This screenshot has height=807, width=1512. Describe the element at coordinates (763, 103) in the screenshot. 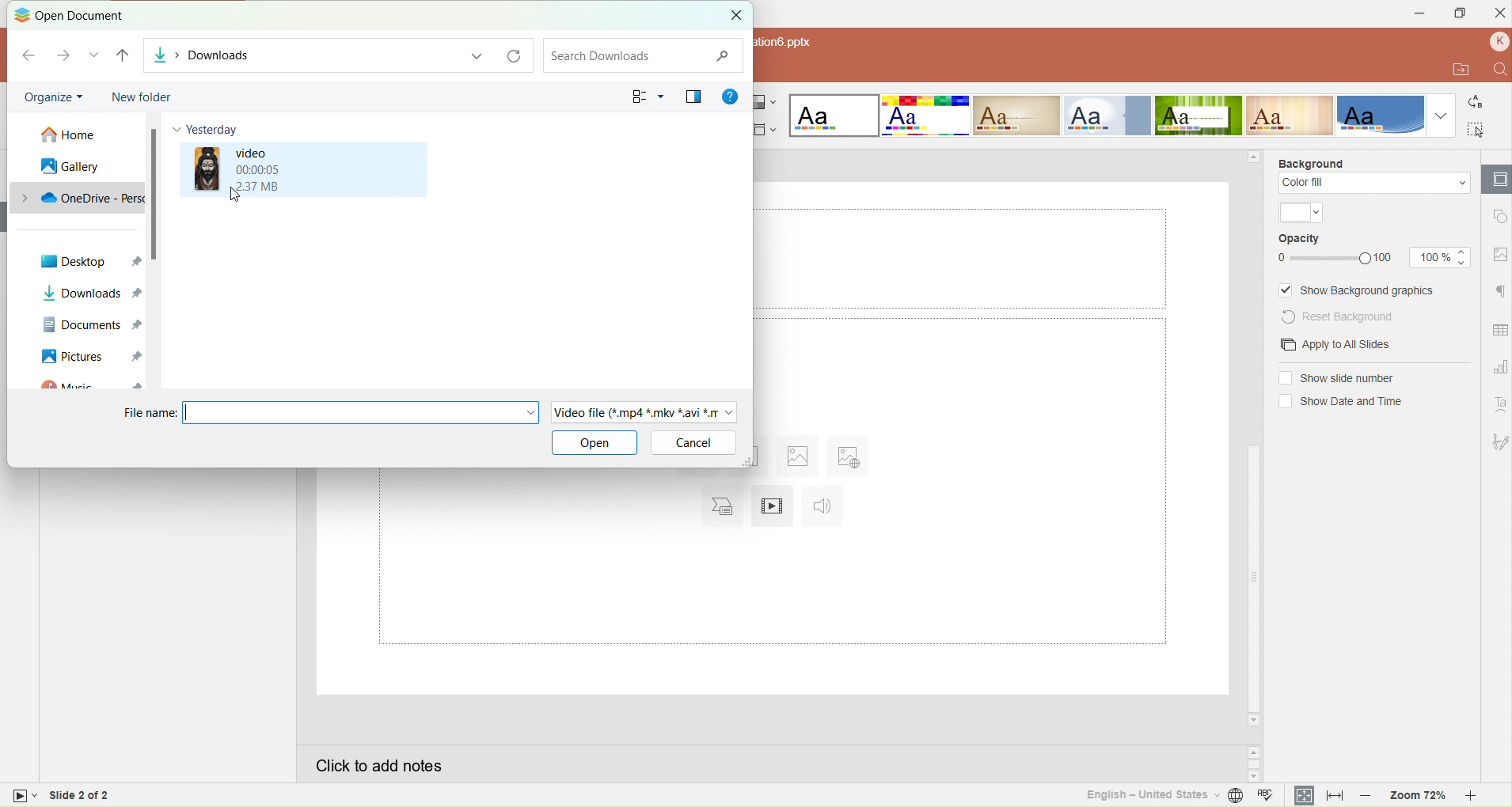

I see `Change color theme` at that location.